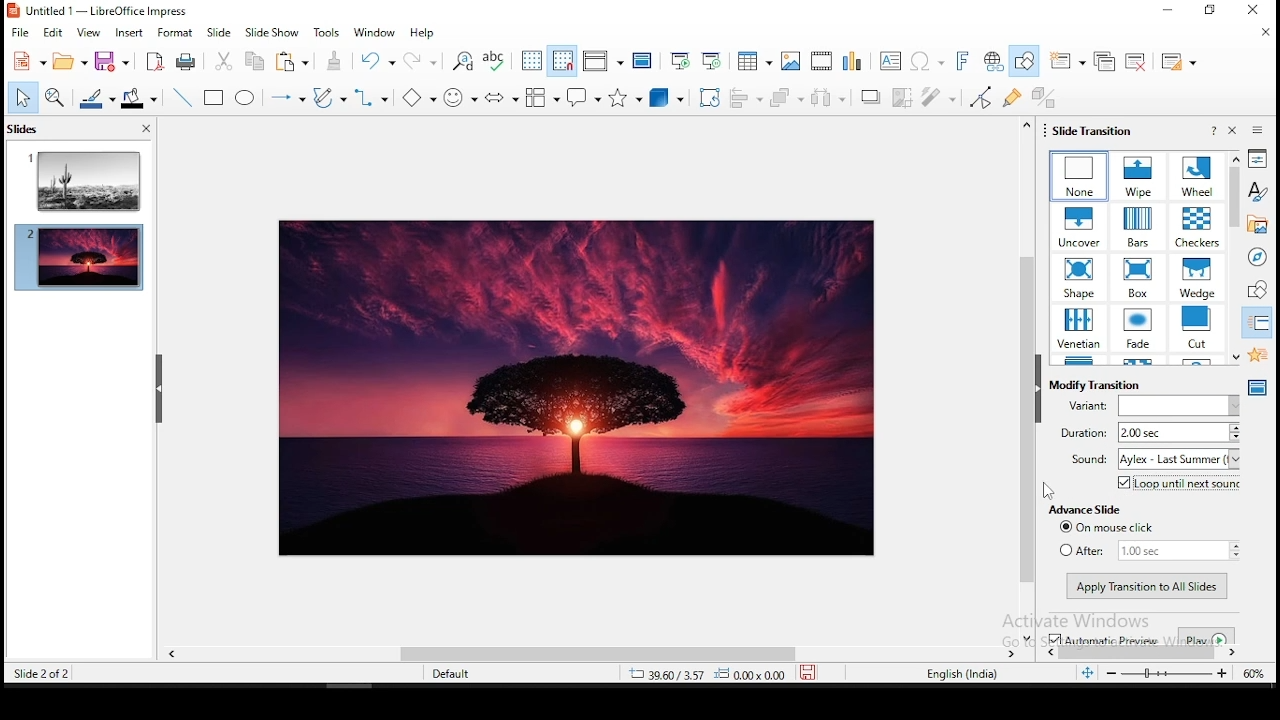  Describe the element at coordinates (1043, 97) in the screenshot. I see `toggle extrusiuon` at that location.